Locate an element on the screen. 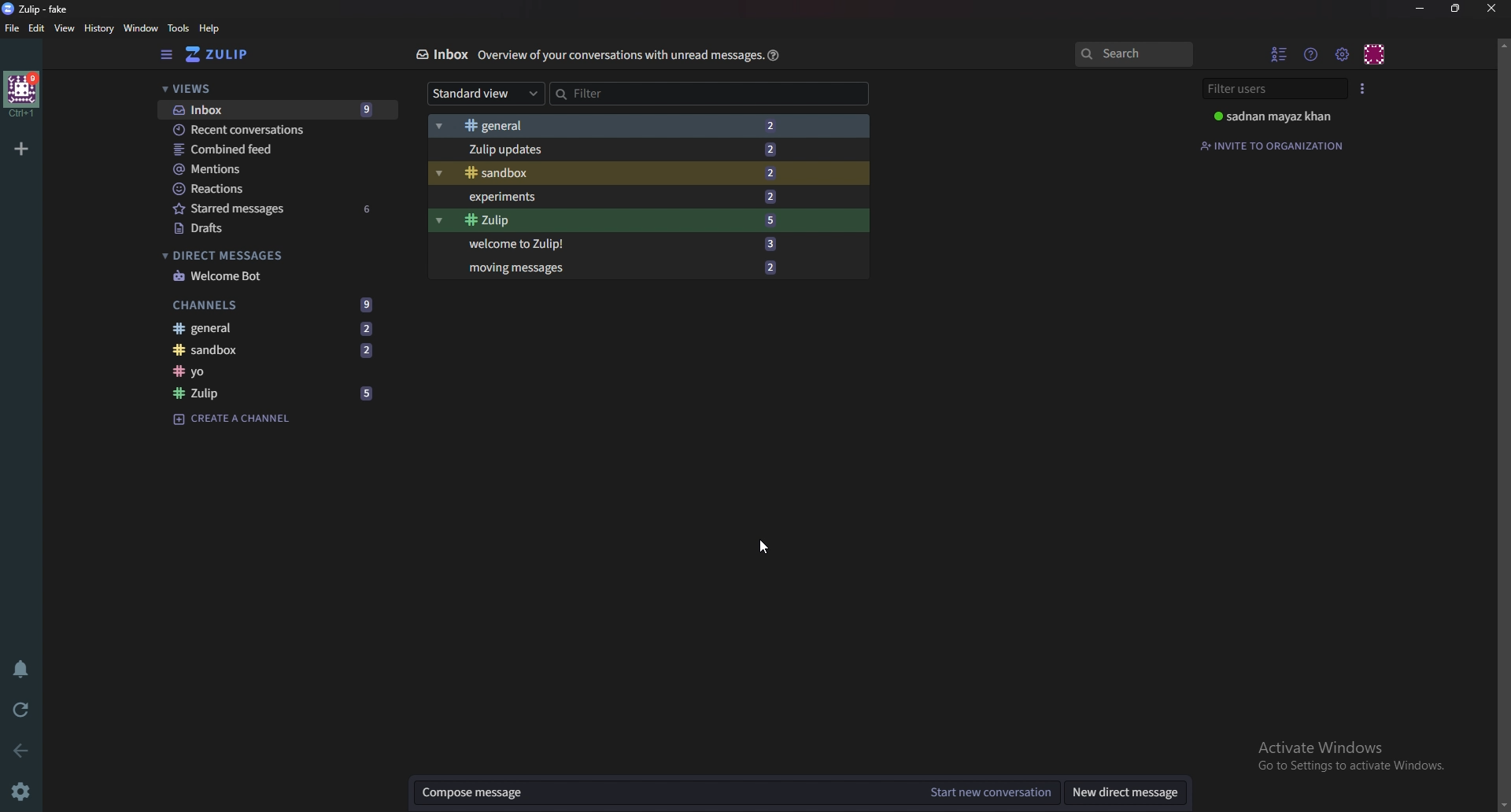 The width and height of the screenshot is (1511, 812). Experiments is located at coordinates (651, 198).